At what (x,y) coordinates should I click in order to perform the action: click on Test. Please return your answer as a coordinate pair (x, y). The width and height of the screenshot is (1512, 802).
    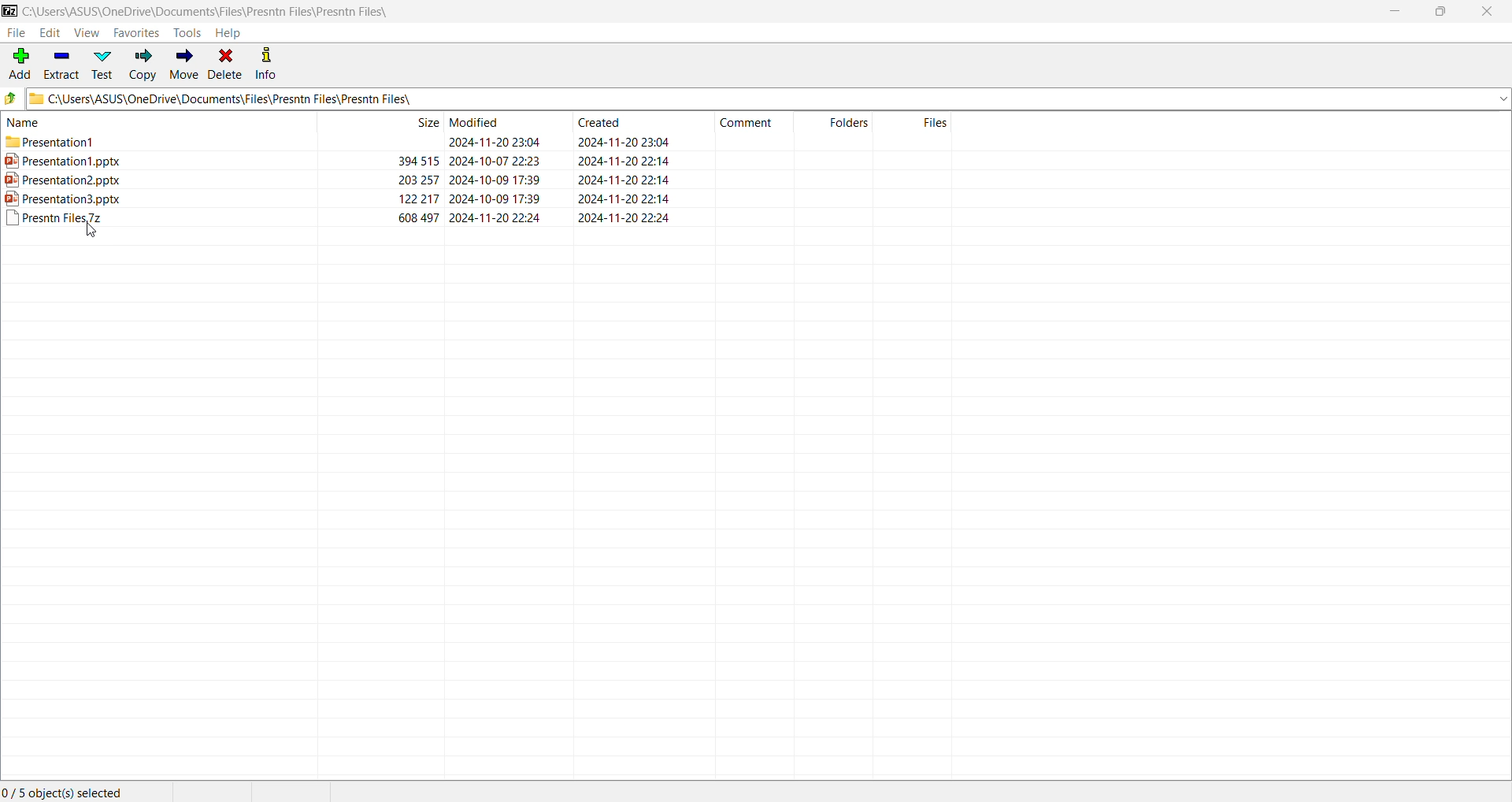
    Looking at the image, I should click on (104, 64).